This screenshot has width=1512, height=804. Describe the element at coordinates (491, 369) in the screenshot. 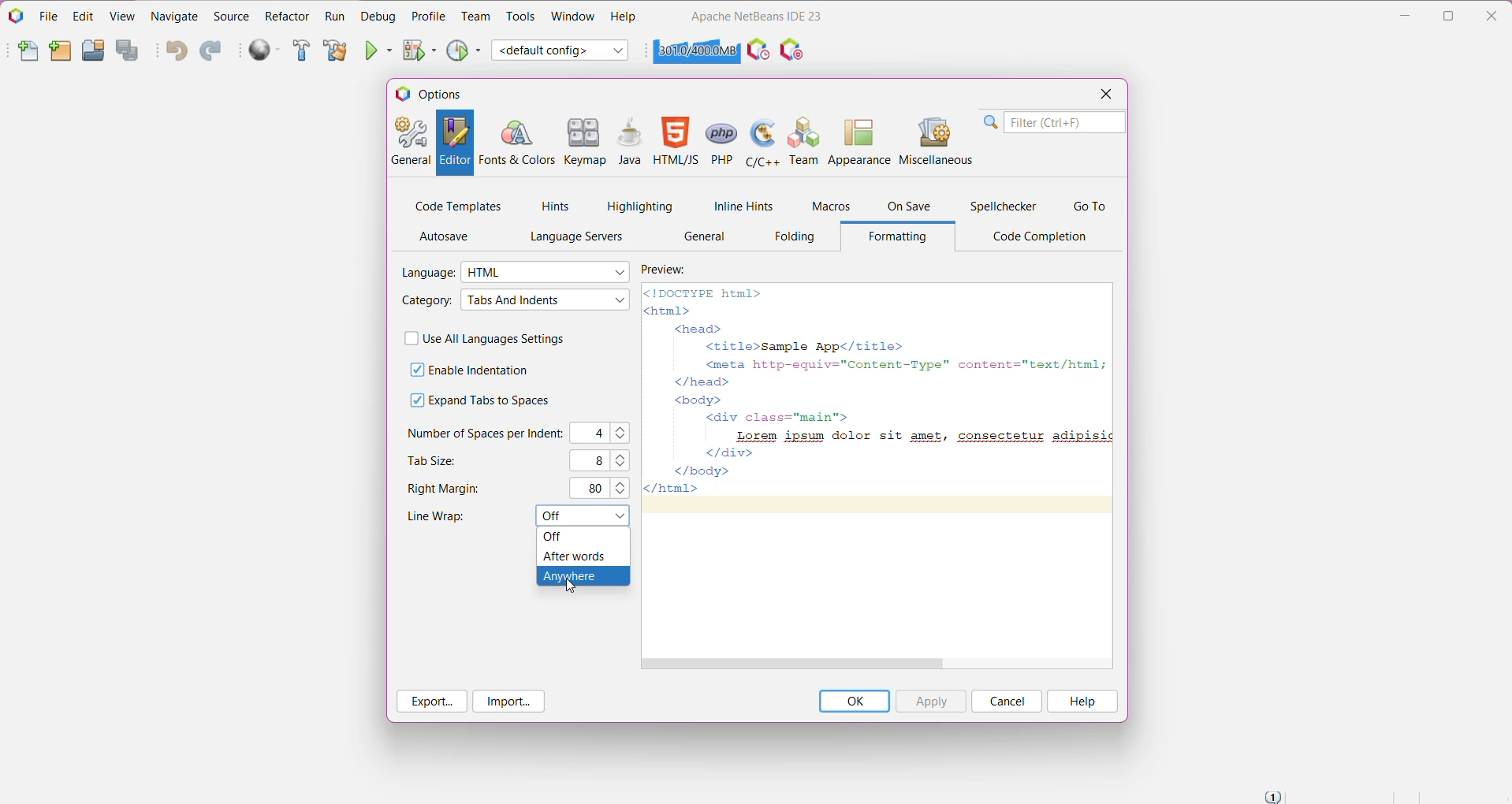

I see `Enable Indentation - click to enable` at that location.